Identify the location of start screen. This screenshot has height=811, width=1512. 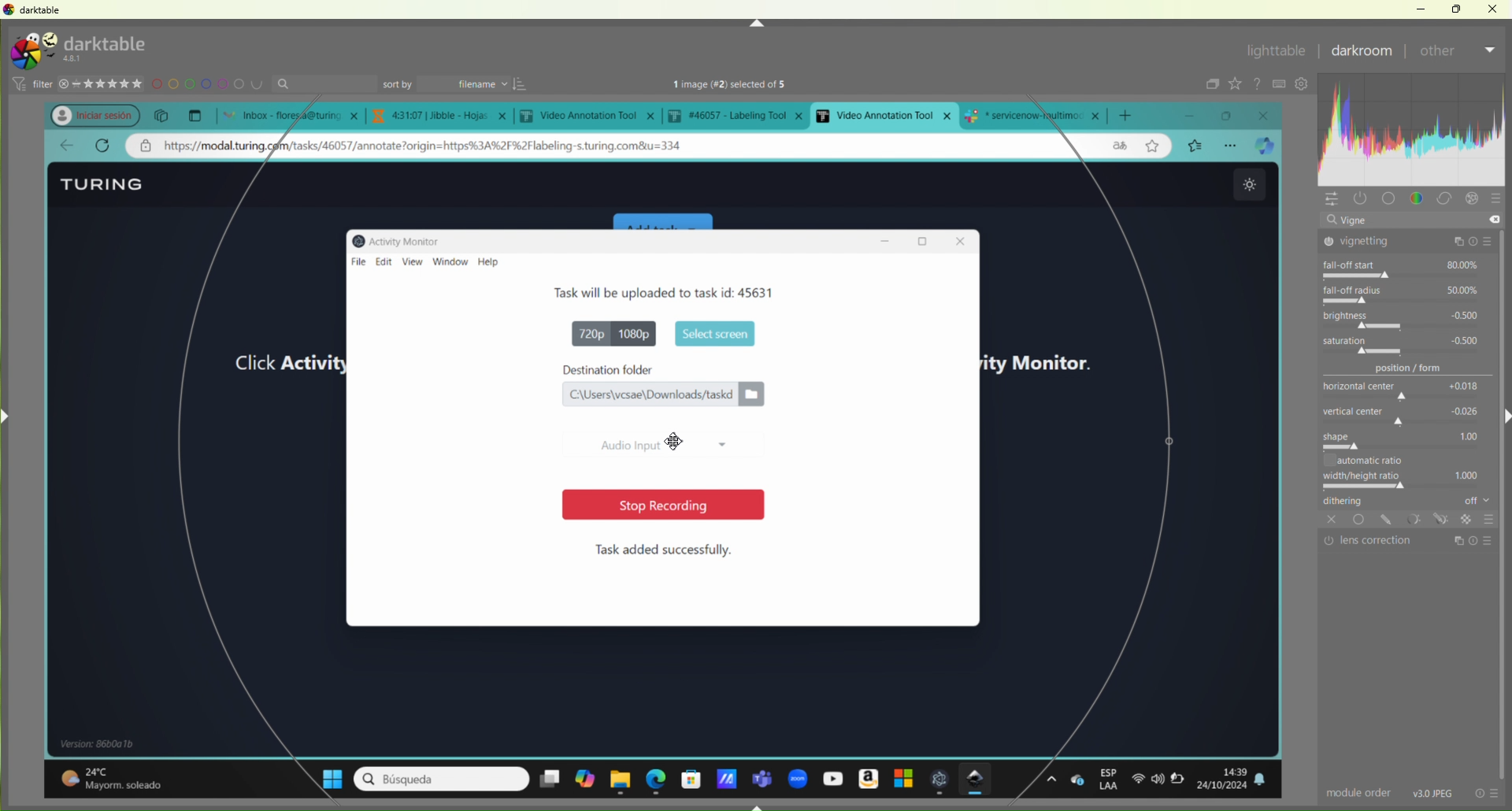
(712, 332).